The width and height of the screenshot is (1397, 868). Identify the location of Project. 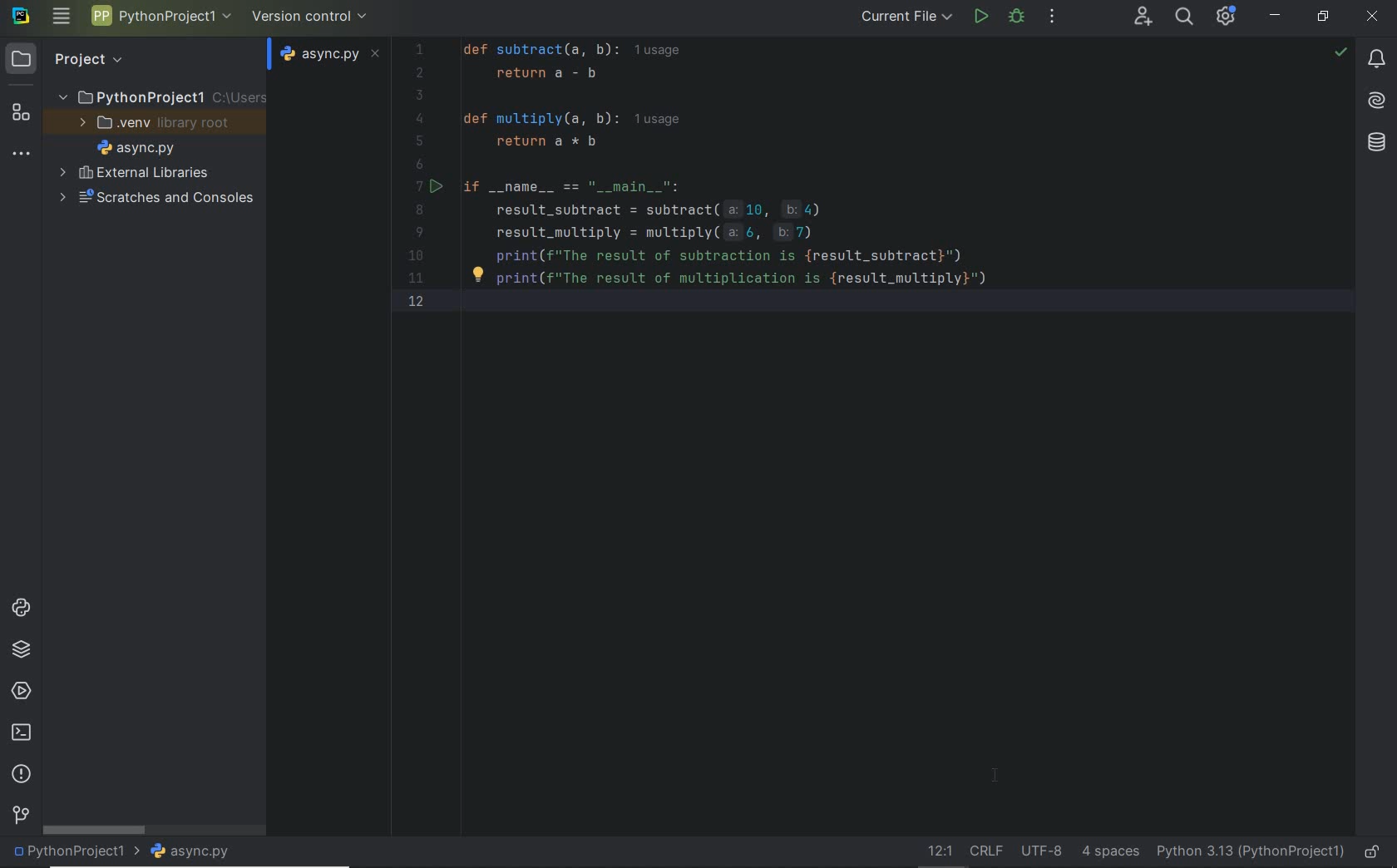
(88, 59).